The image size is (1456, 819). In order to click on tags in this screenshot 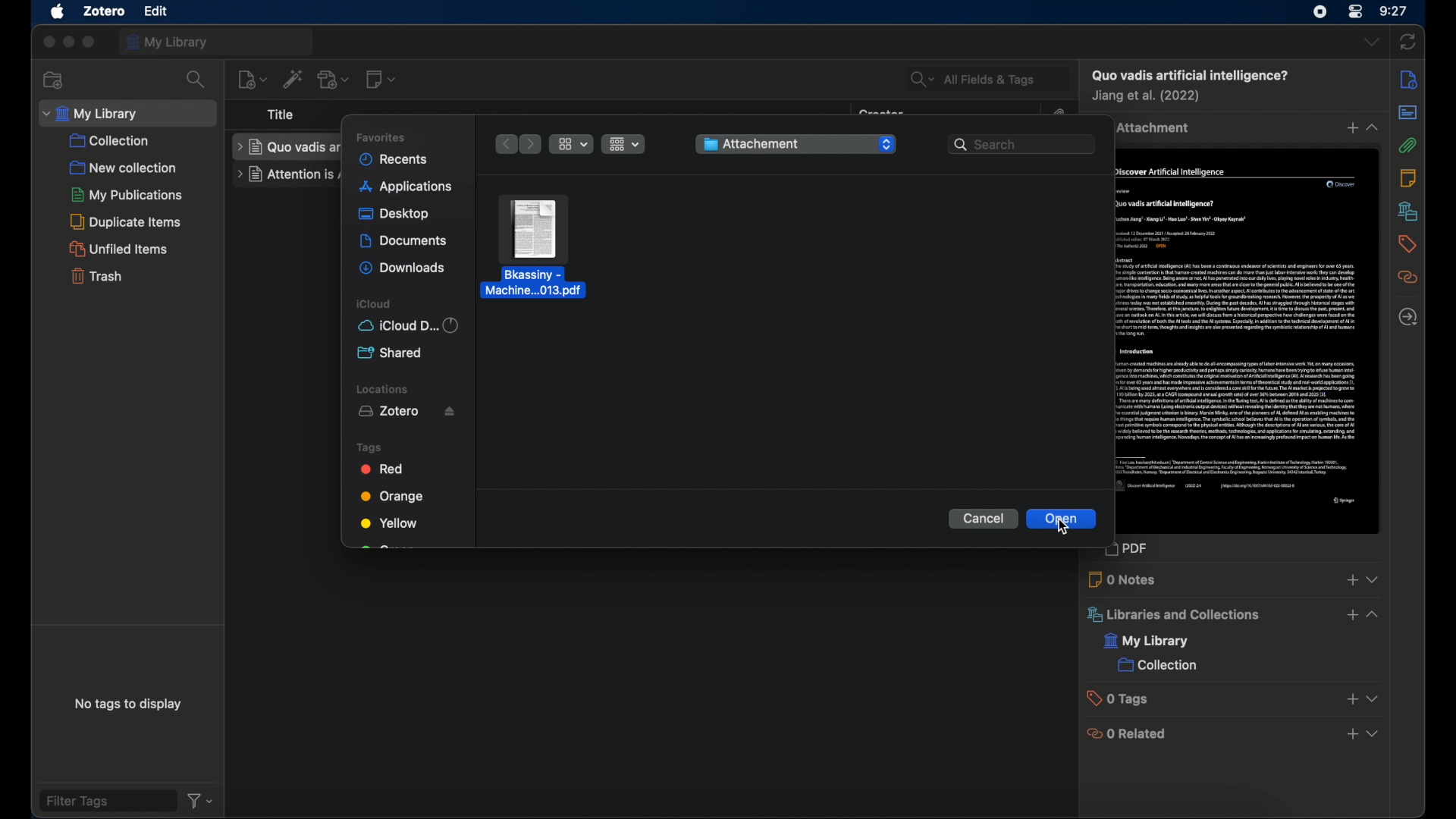, I will do `click(369, 447)`.